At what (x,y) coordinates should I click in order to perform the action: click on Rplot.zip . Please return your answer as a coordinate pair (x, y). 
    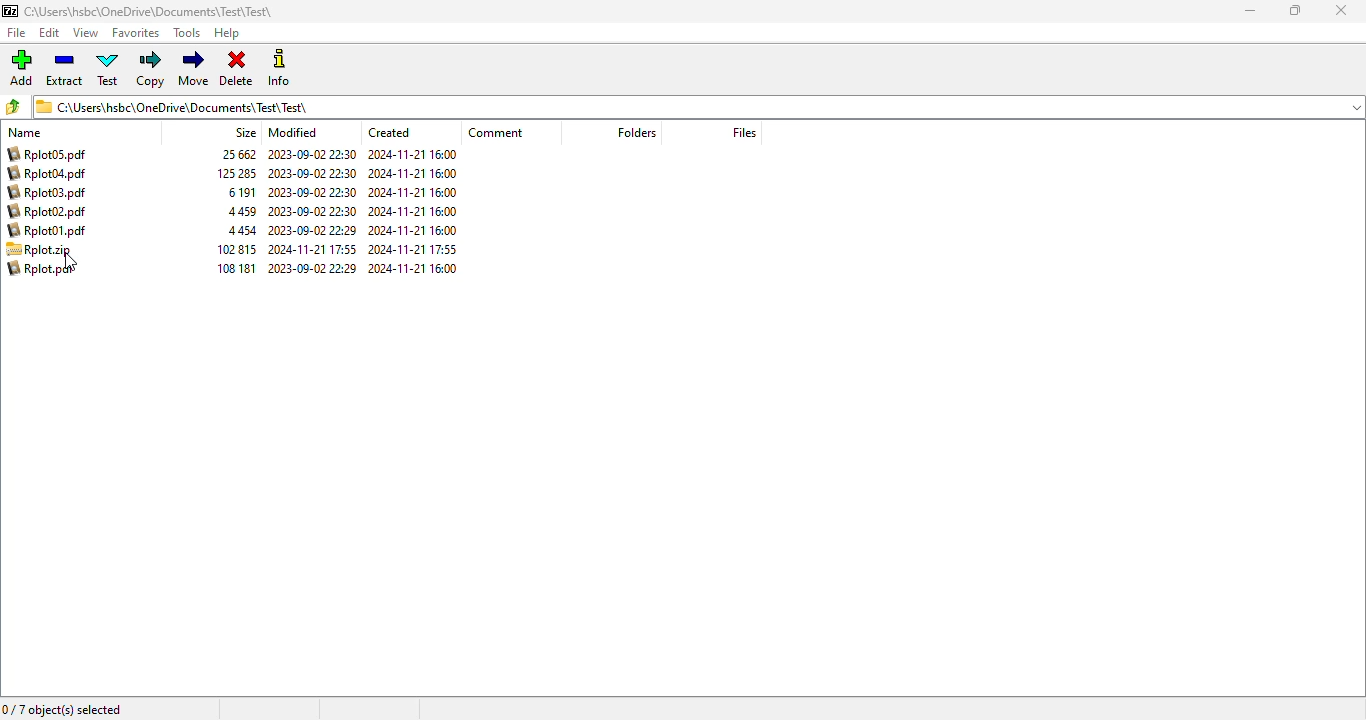
    Looking at the image, I should click on (47, 249).